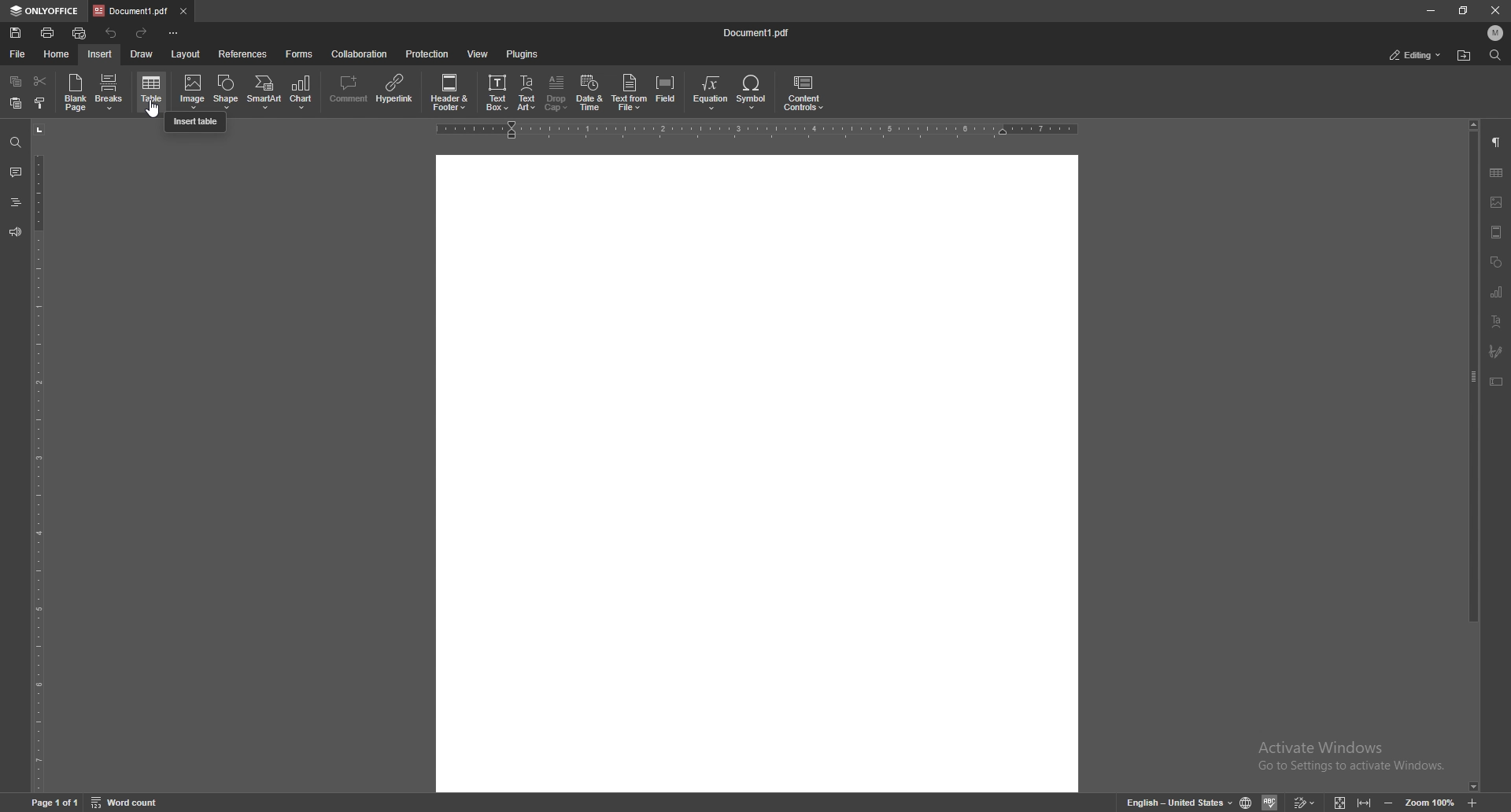  Describe the element at coordinates (1430, 11) in the screenshot. I see `minimize` at that location.